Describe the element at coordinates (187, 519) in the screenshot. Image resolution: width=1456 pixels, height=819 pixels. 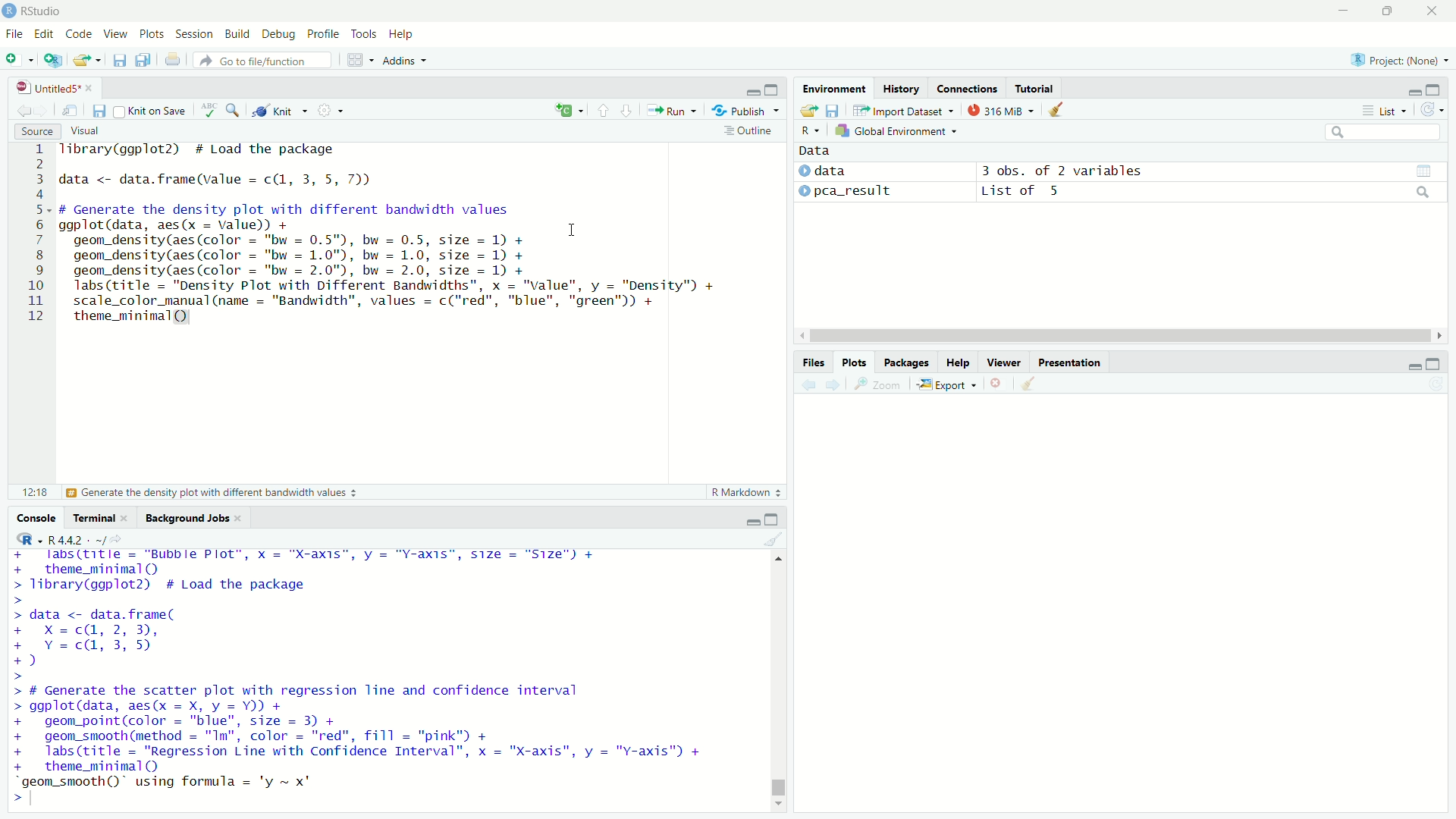
I see `Background Jobs` at that location.